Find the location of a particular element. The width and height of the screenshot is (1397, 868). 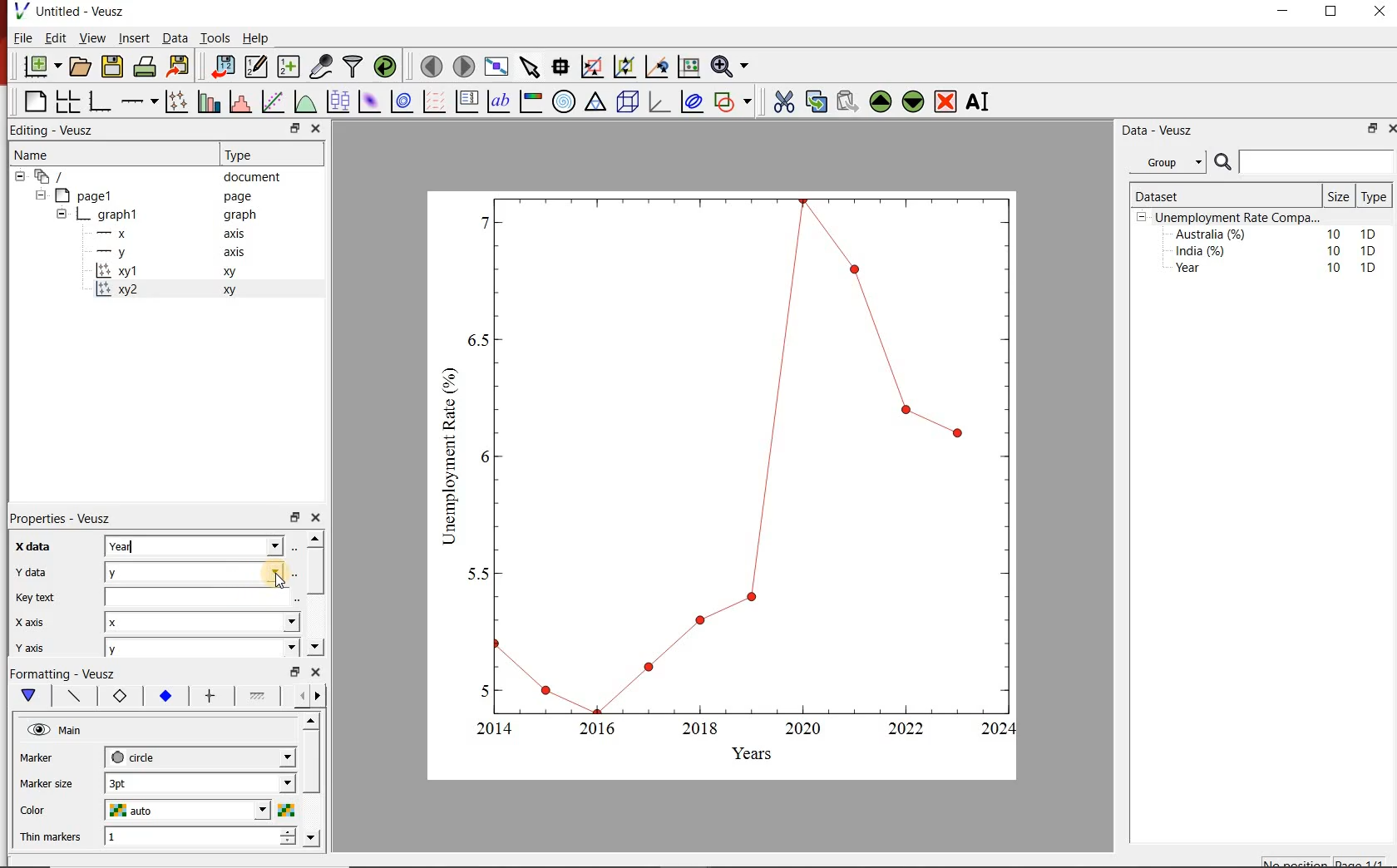

edit and enter new datasets is located at coordinates (258, 65).